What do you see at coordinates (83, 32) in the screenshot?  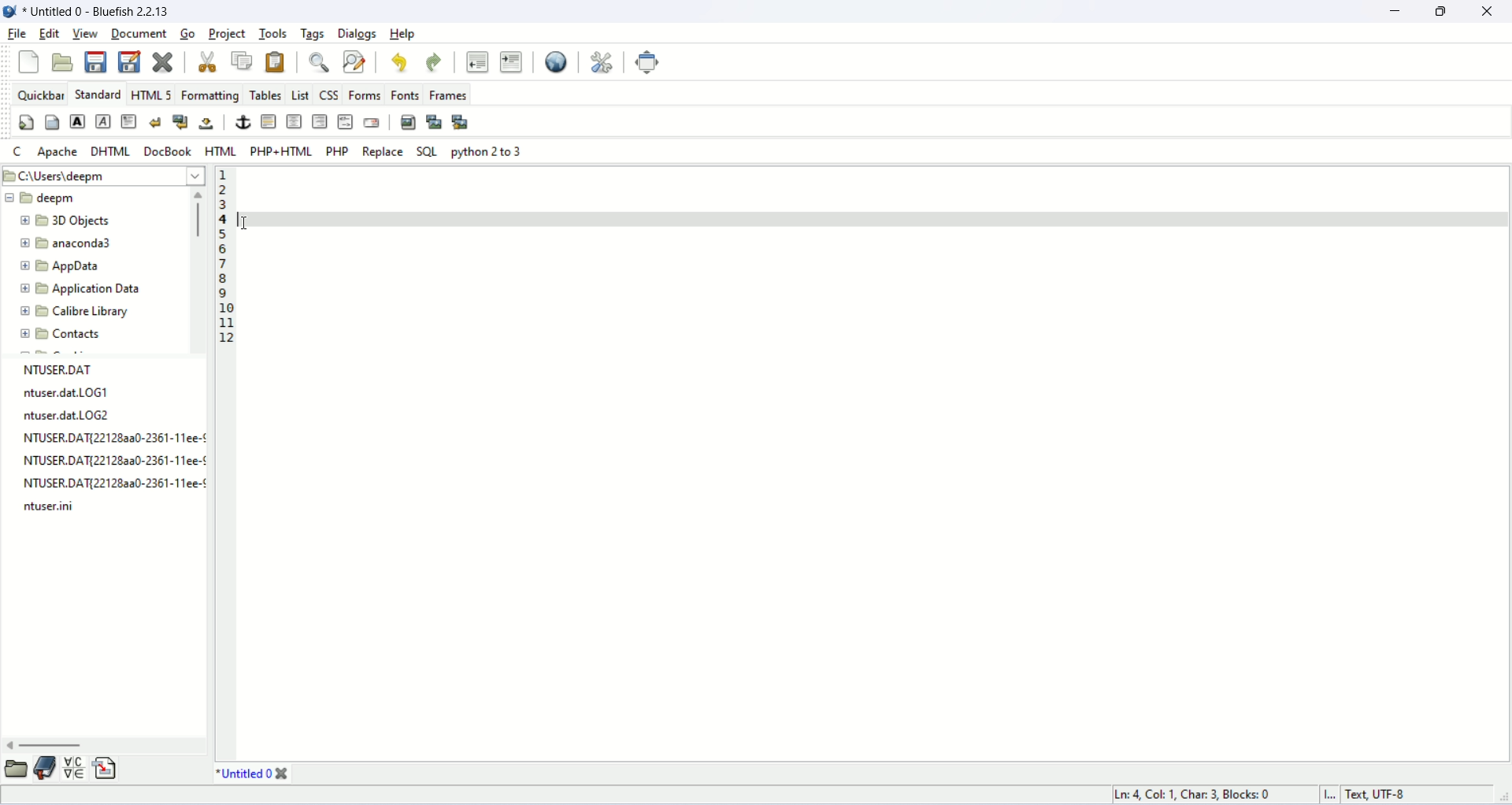 I see `view` at bounding box center [83, 32].